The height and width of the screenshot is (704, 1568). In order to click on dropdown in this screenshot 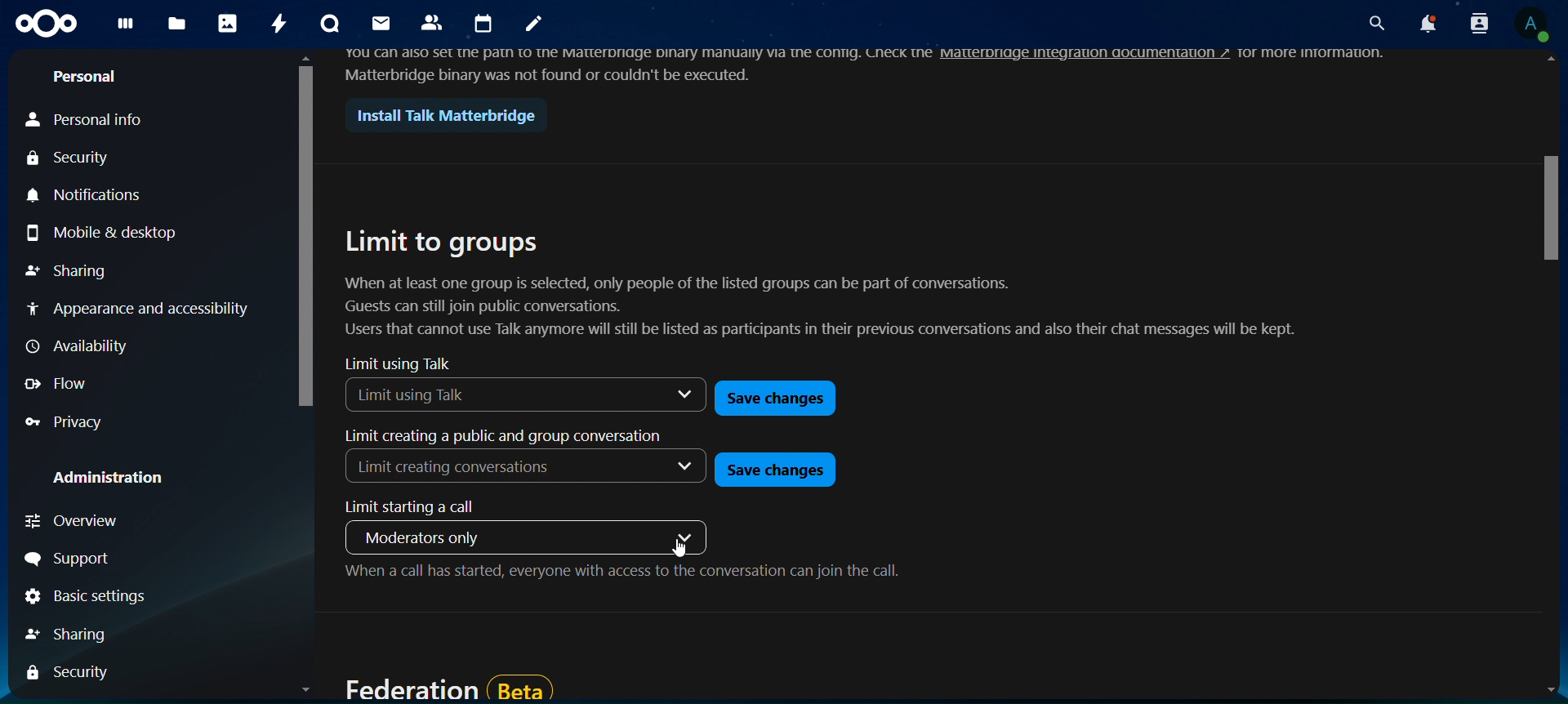, I will do `click(686, 535)`.